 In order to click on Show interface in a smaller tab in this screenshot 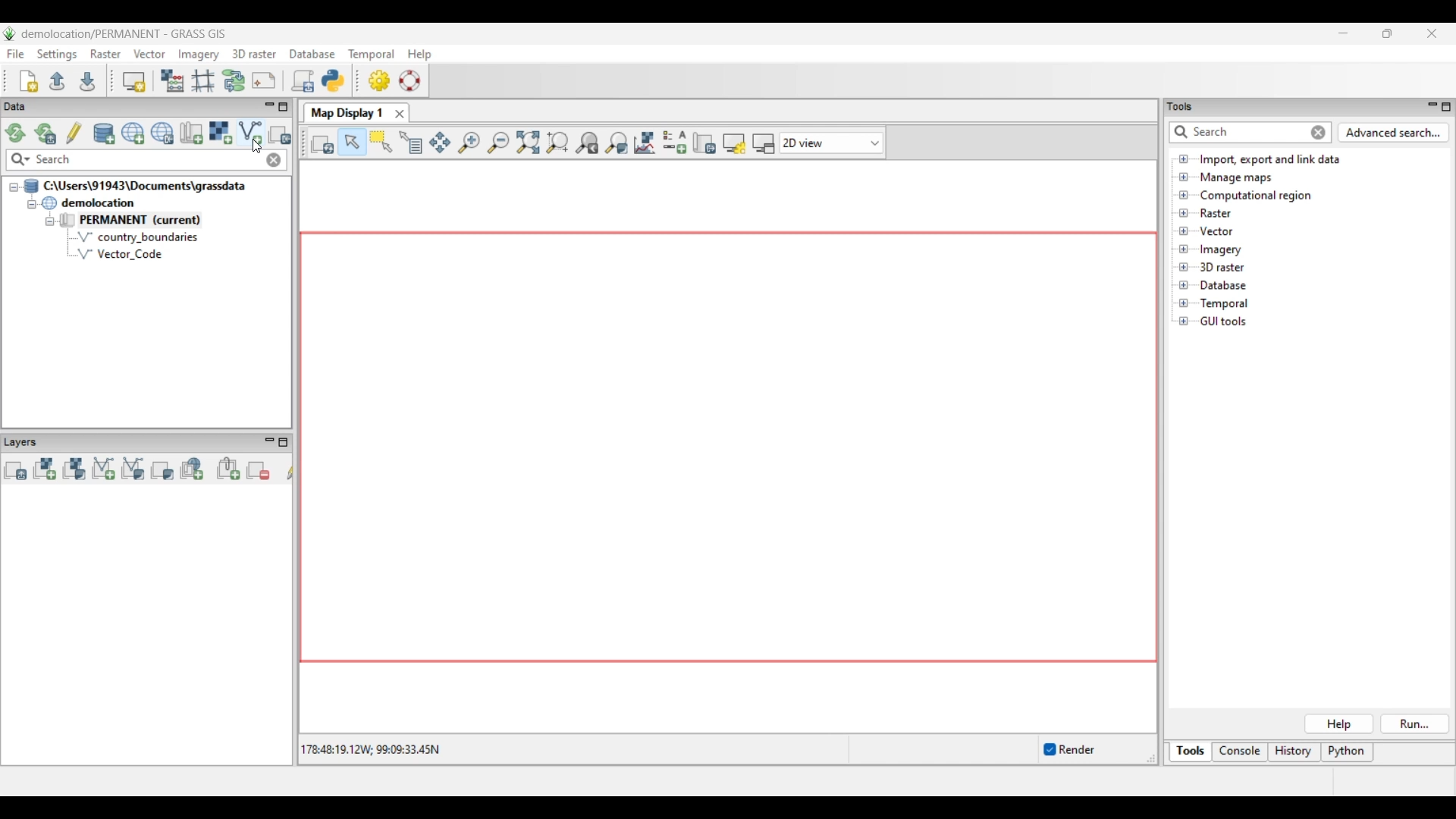, I will do `click(1387, 33)`.